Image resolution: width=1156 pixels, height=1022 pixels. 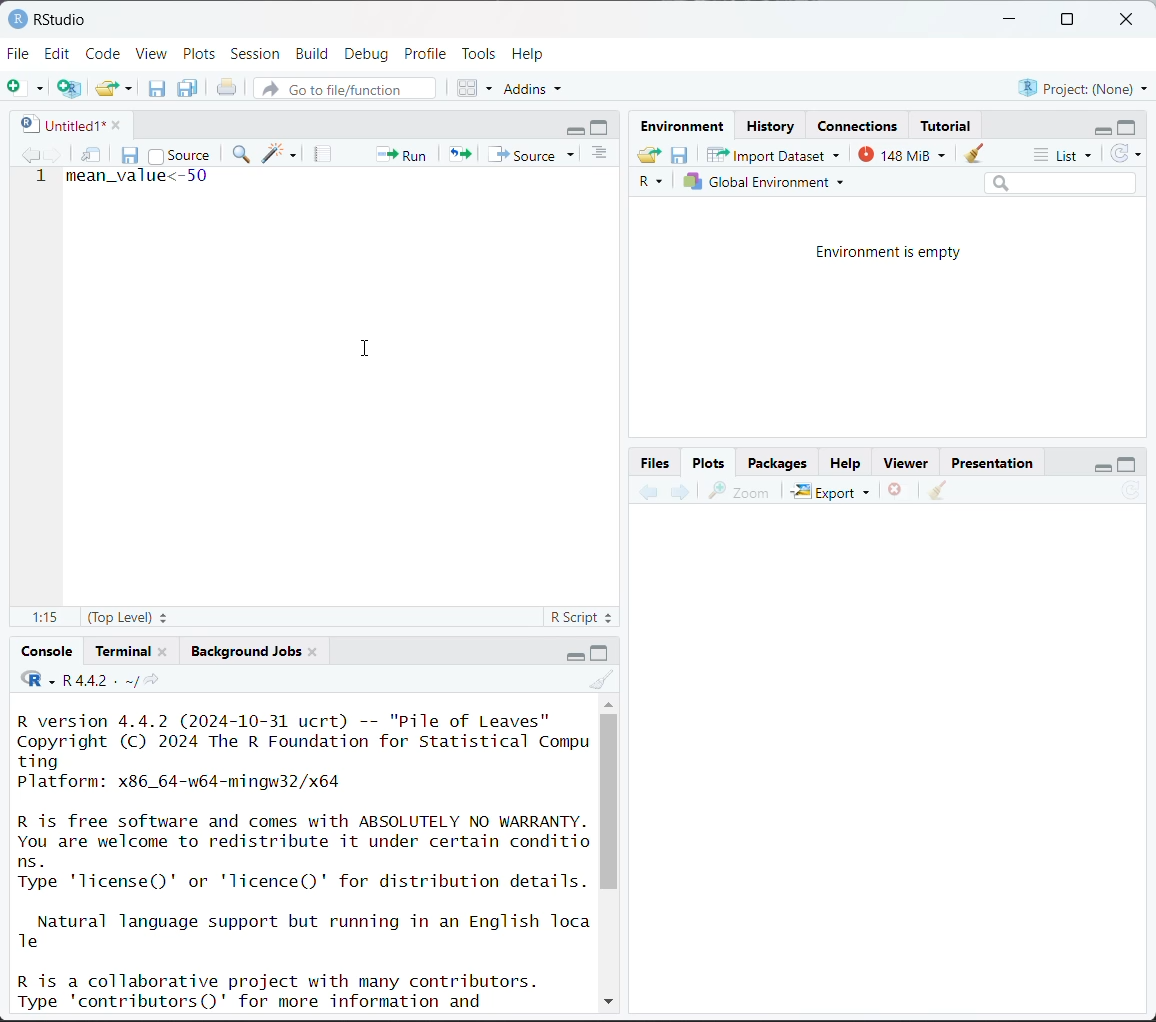 What do you see at coordinates (99, 680) in the screenshot?
I see `R 4.4.2 . ~/` at bounding box center [99, 680].